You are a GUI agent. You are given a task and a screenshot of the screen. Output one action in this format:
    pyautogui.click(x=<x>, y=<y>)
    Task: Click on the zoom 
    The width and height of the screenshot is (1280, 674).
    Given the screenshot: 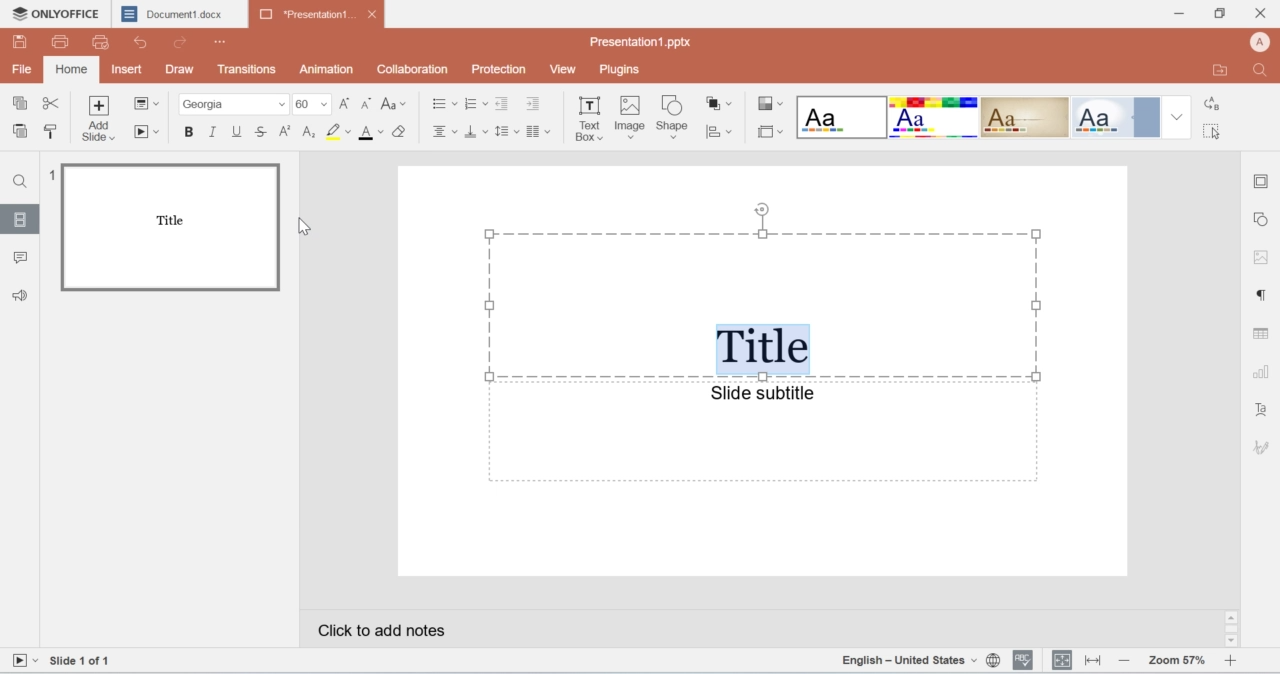 What is the action you would take?
    pyautogui.click(x=1176, y=661)
    